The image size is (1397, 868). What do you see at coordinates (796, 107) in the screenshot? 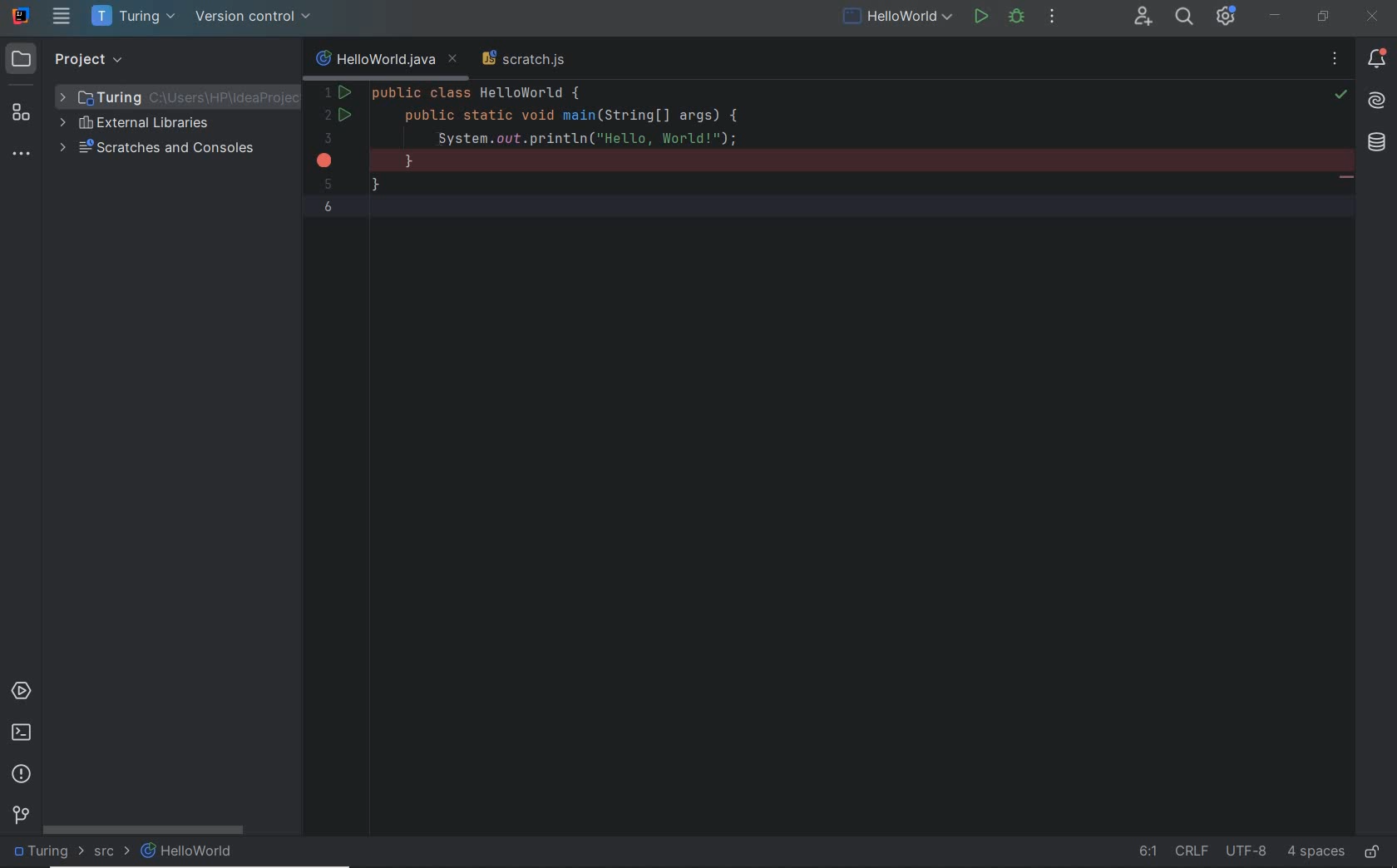
I see `codes` at bounding box center [796, 107].